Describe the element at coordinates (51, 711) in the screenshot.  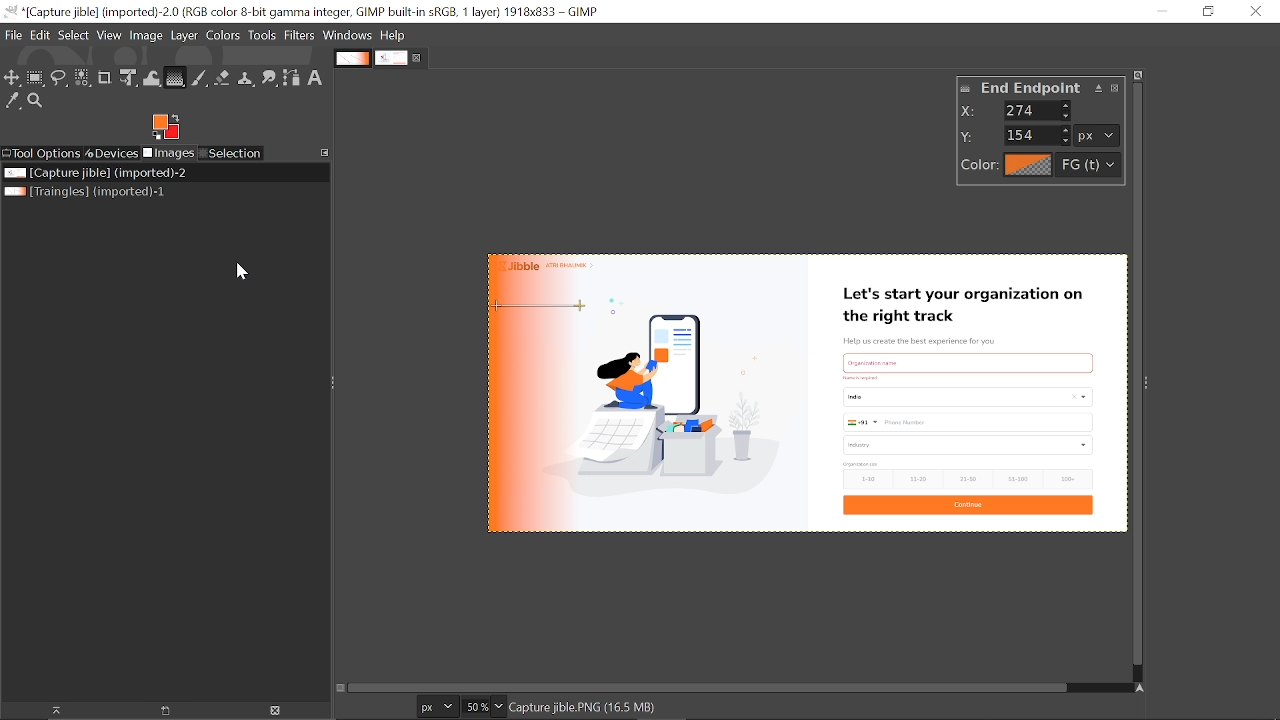
I see `Raise this image's display` at that location.